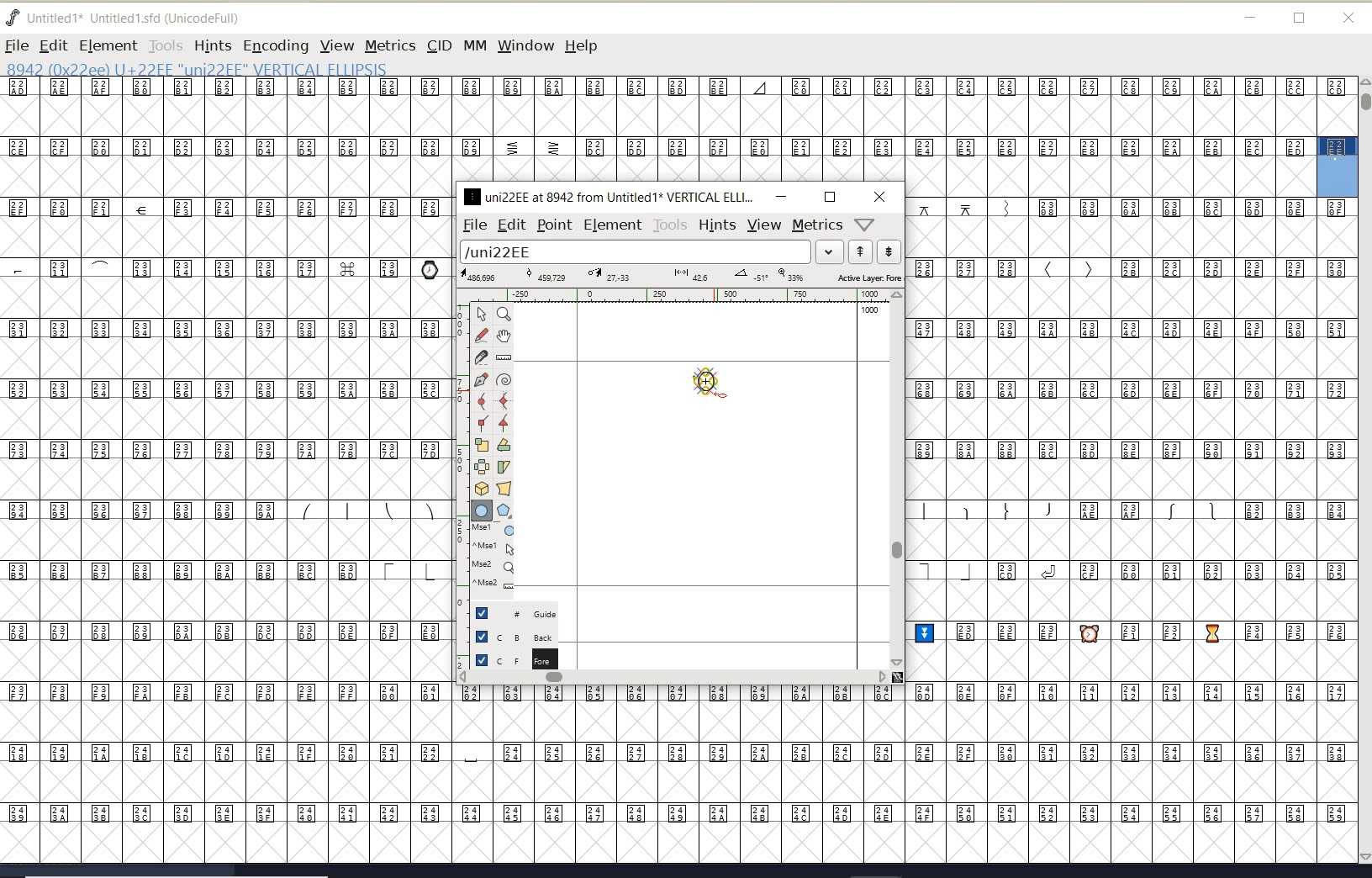 This screenshot has width=1372, height=878. What do you see at coordinates (865, 223) in the screenshot?
I see `help/window` at bounding box center [865, 223].